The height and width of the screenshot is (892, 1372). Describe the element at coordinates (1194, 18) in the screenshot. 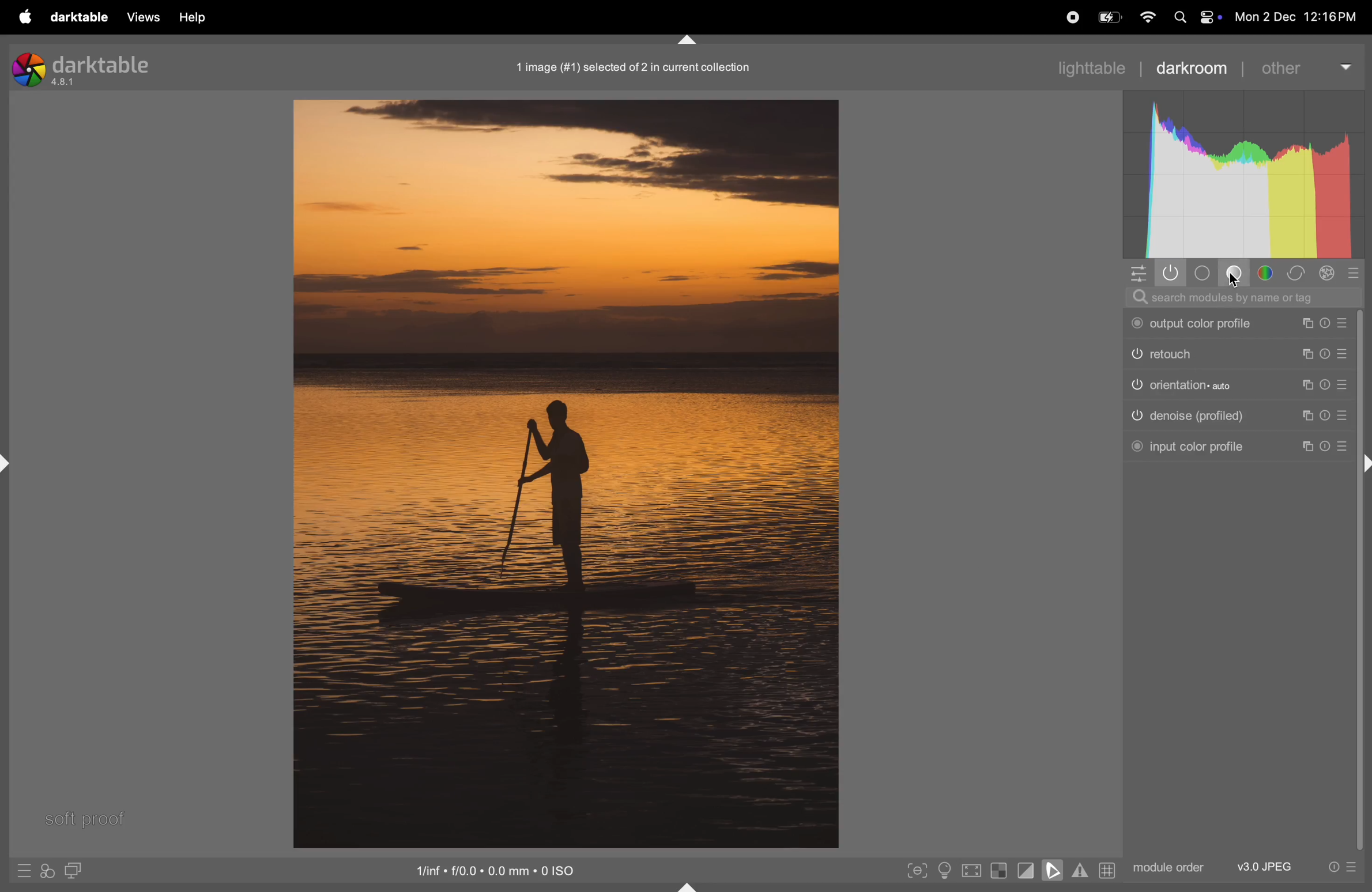

I see `apple widgets` at that location.